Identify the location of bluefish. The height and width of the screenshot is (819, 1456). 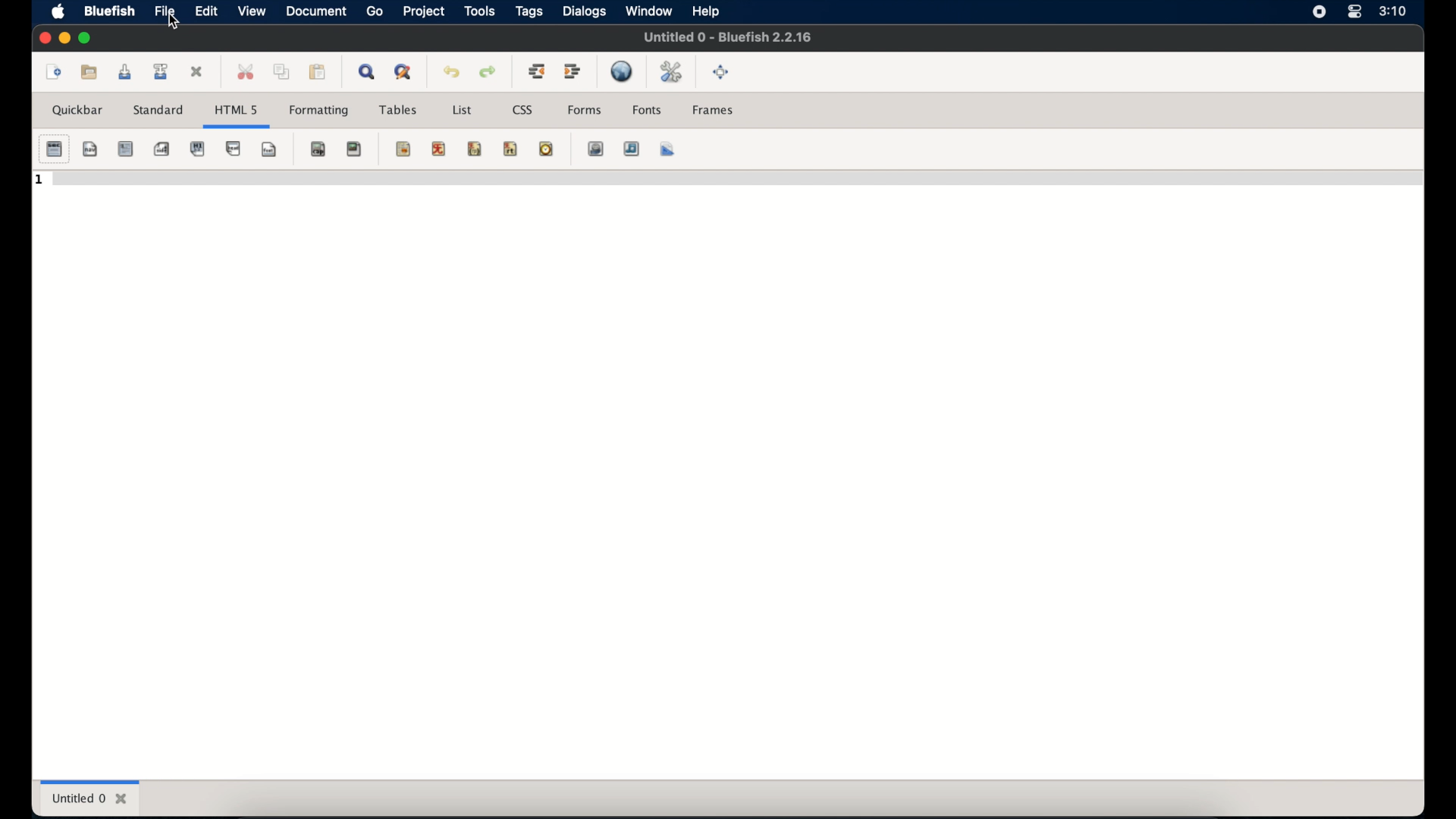
(107, 11).